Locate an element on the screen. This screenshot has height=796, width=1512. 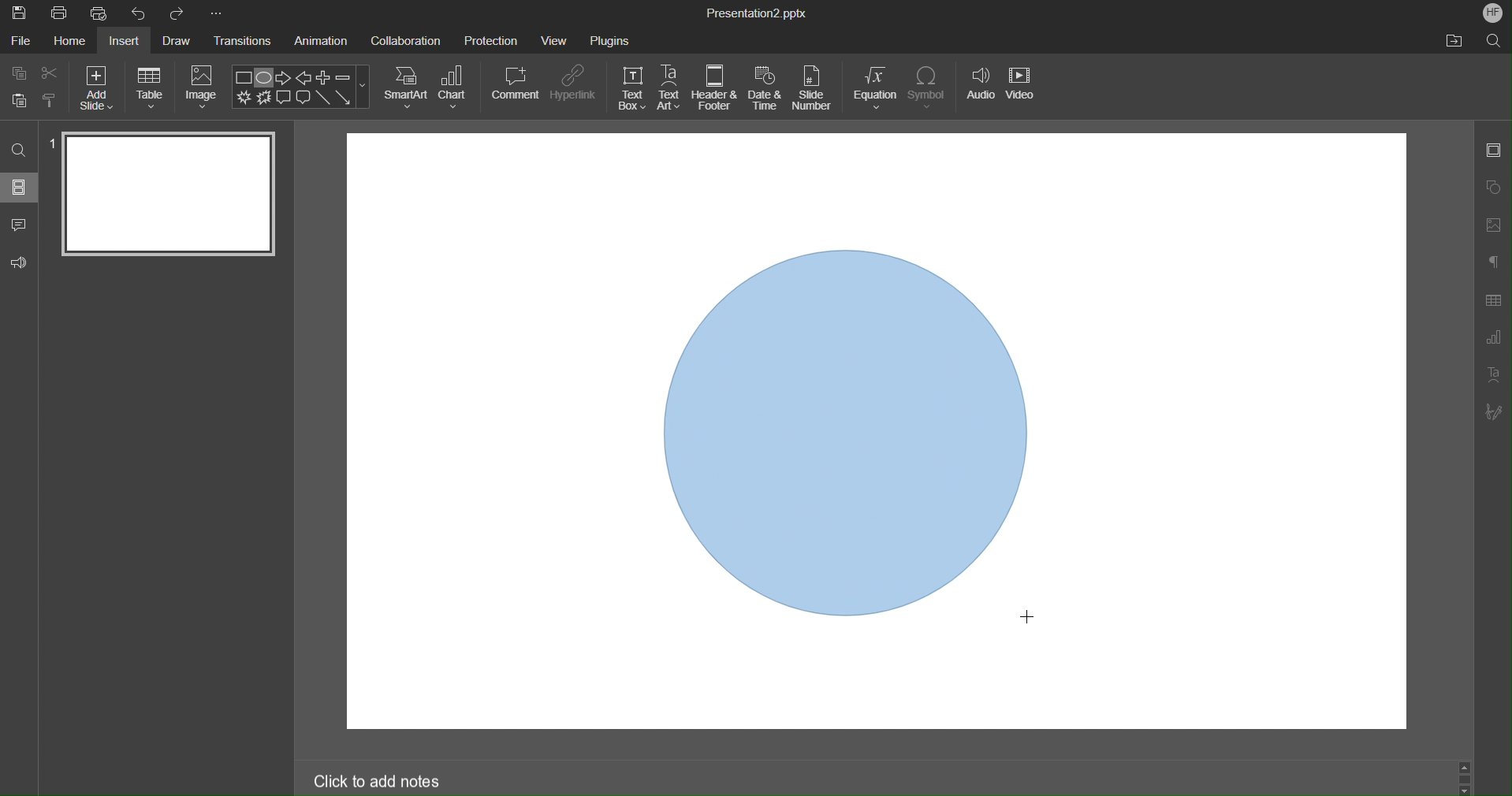
Collaboration is located at coordinates (406, 39).